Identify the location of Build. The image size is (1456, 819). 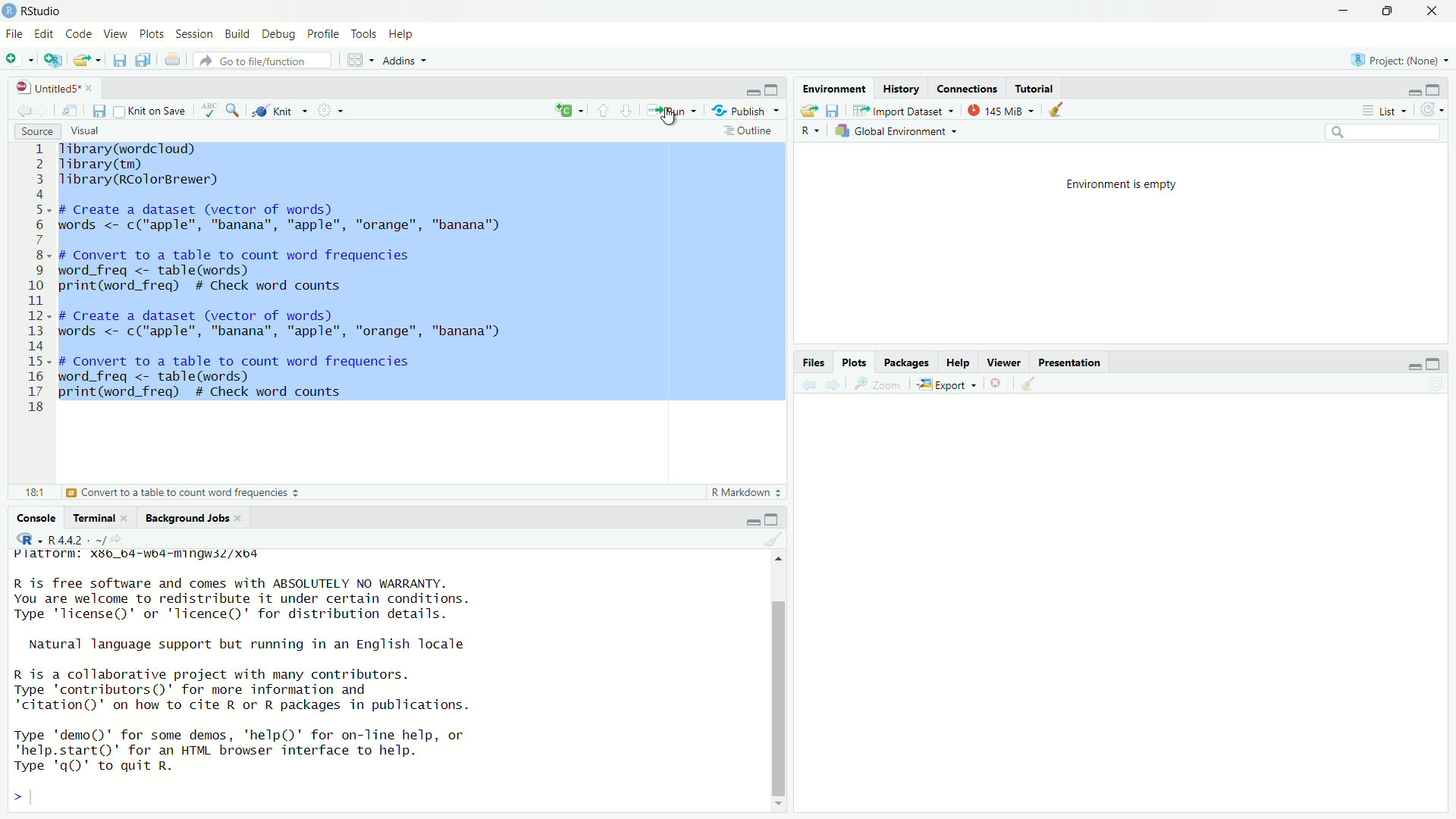
(238, 34).